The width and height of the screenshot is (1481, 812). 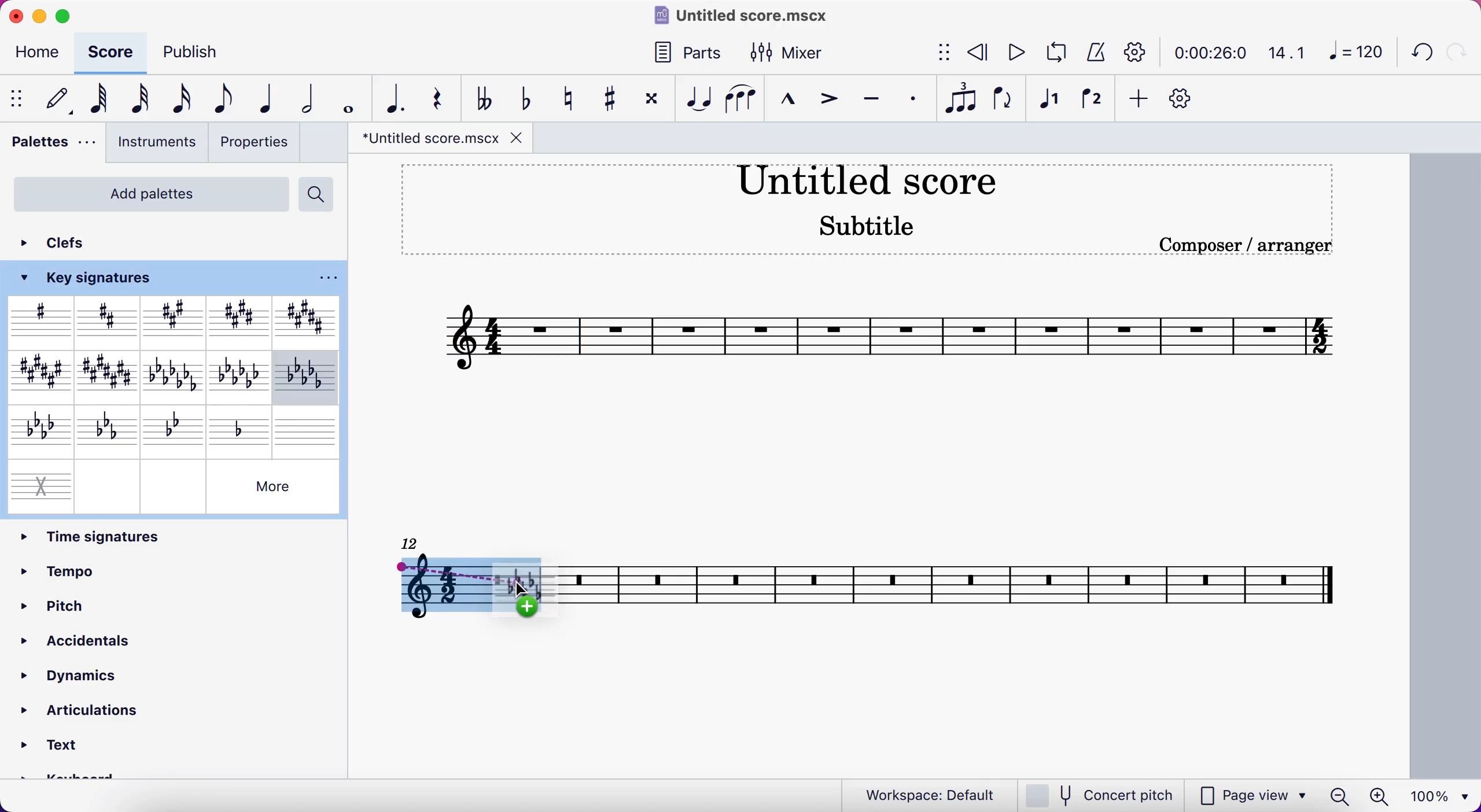 What do you see at coordinates (875, 104) in the screenshot?
I see `tenuto` at bounding box center [875, 104].